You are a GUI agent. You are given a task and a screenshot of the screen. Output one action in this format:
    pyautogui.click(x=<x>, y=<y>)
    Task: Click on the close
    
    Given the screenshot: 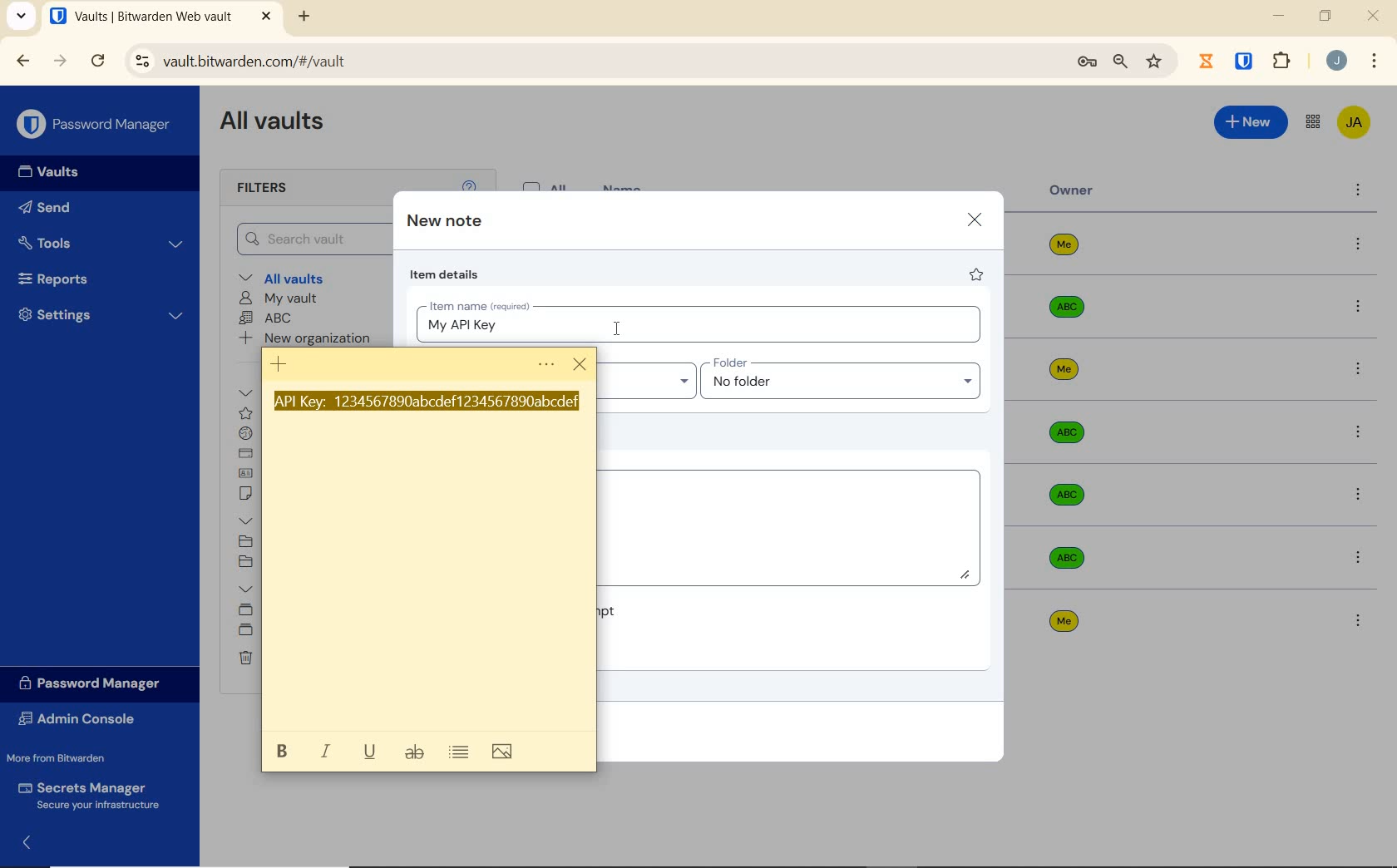 What is the action you would take?
    pyautogui.click(x=975, y=219)
    